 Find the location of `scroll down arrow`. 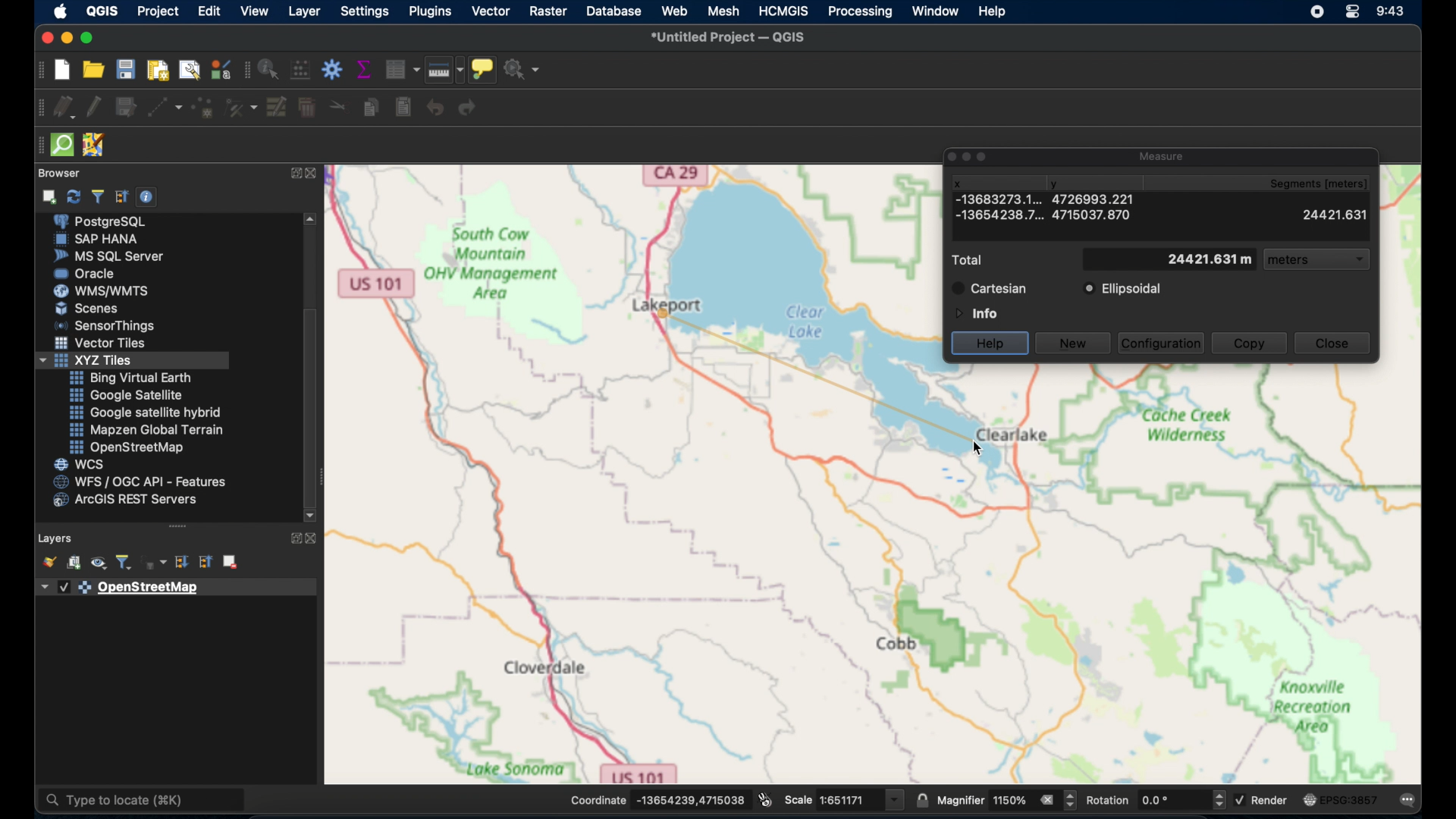

scroll down arrow is located at coordinates (310, 515).